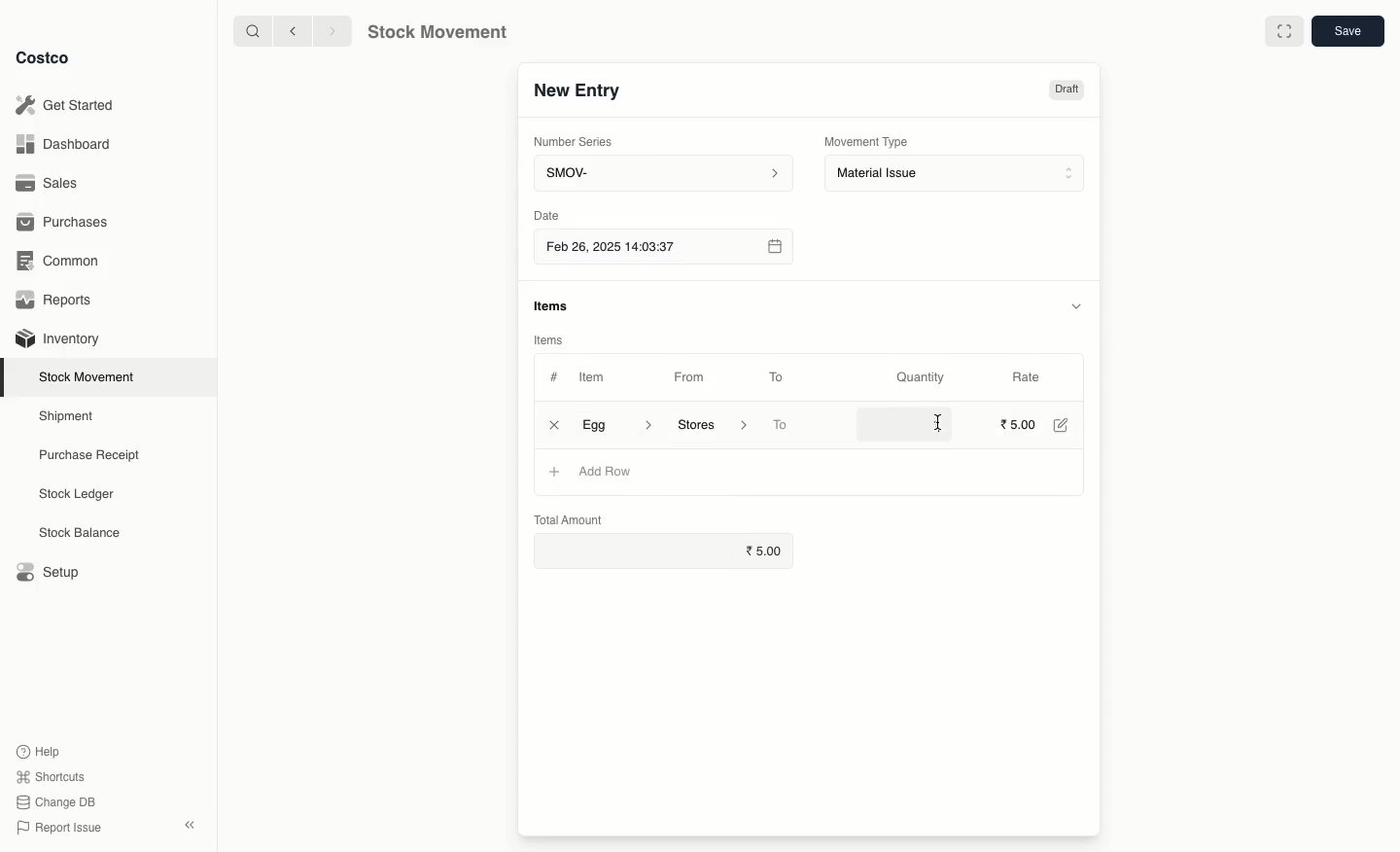 This screenshot has width=1400, height=852. What do you see at coordinates (579, 94) in the screenshot?
I see `New Entry` at bounding box center [579, 94].